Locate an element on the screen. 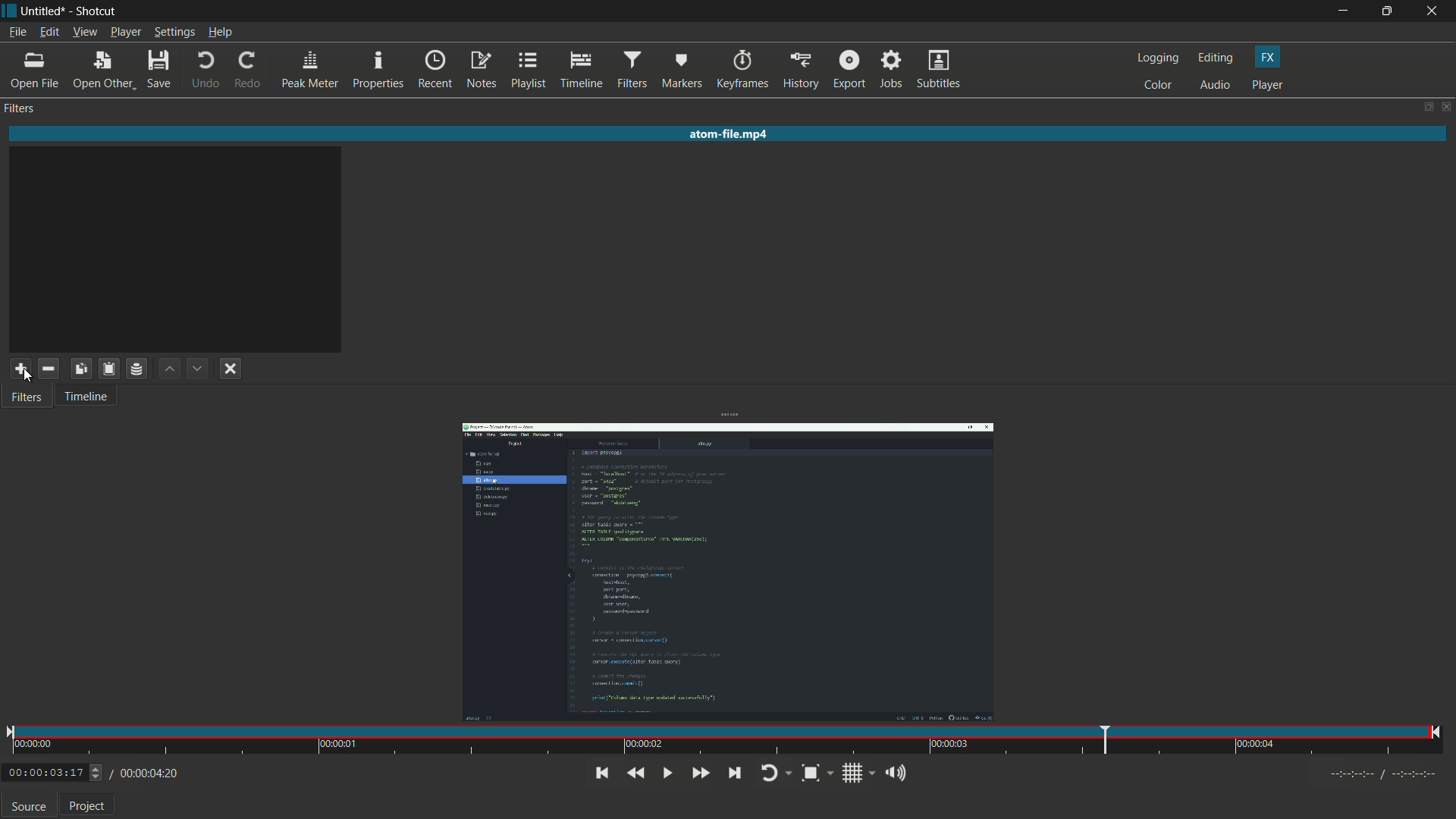  move filter down is located at coordinates (199, 369).